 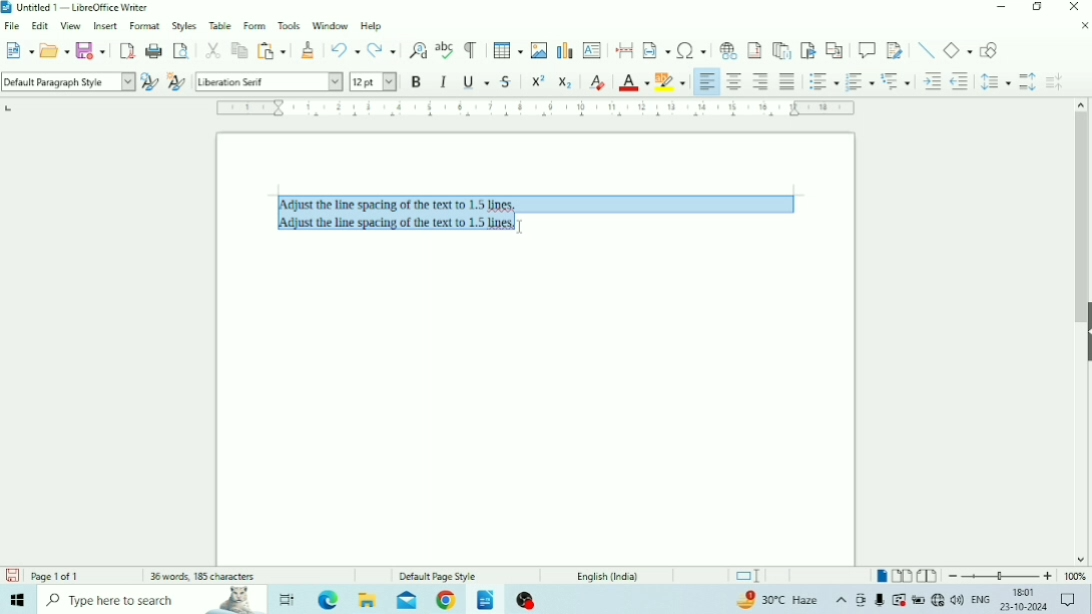 What do you see at coordinates (1075, 7) in the screenshot?
I see `Close` at bounding box center [1075, 7].